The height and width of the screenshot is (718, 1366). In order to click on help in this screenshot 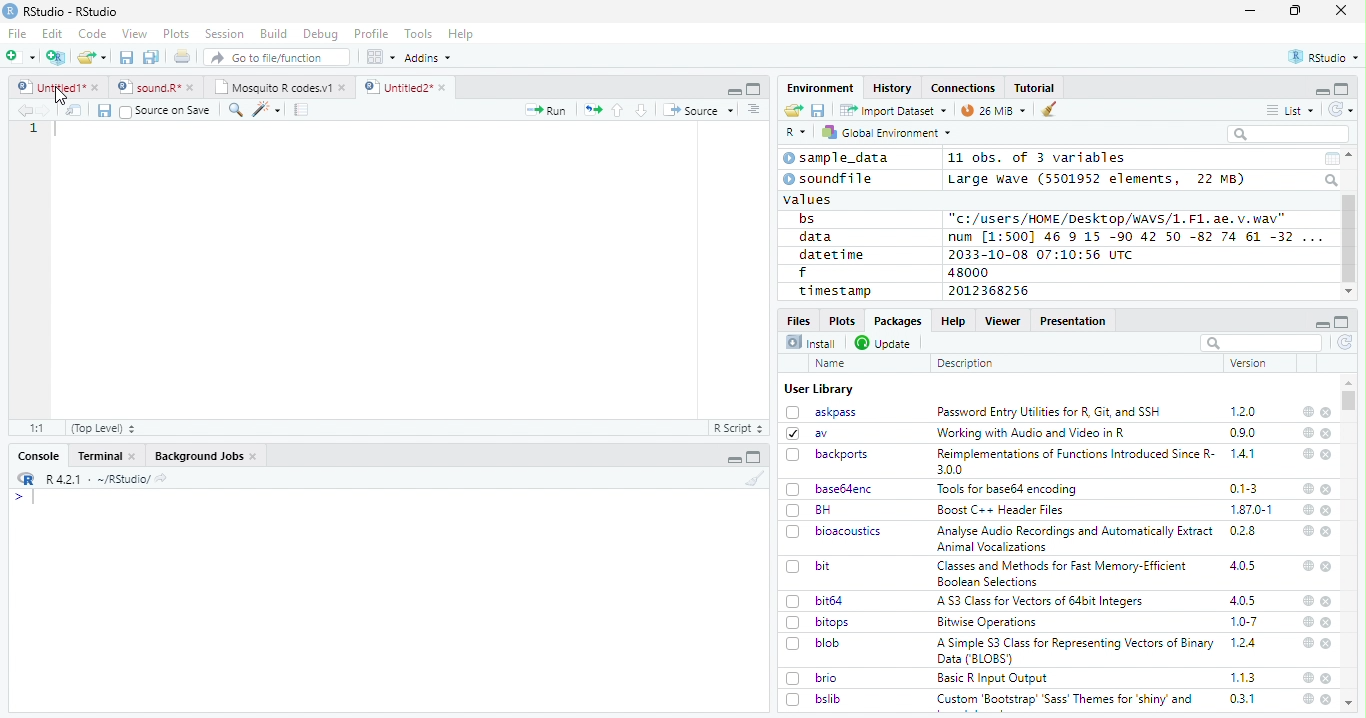, I will do `click(1307, 699)`.